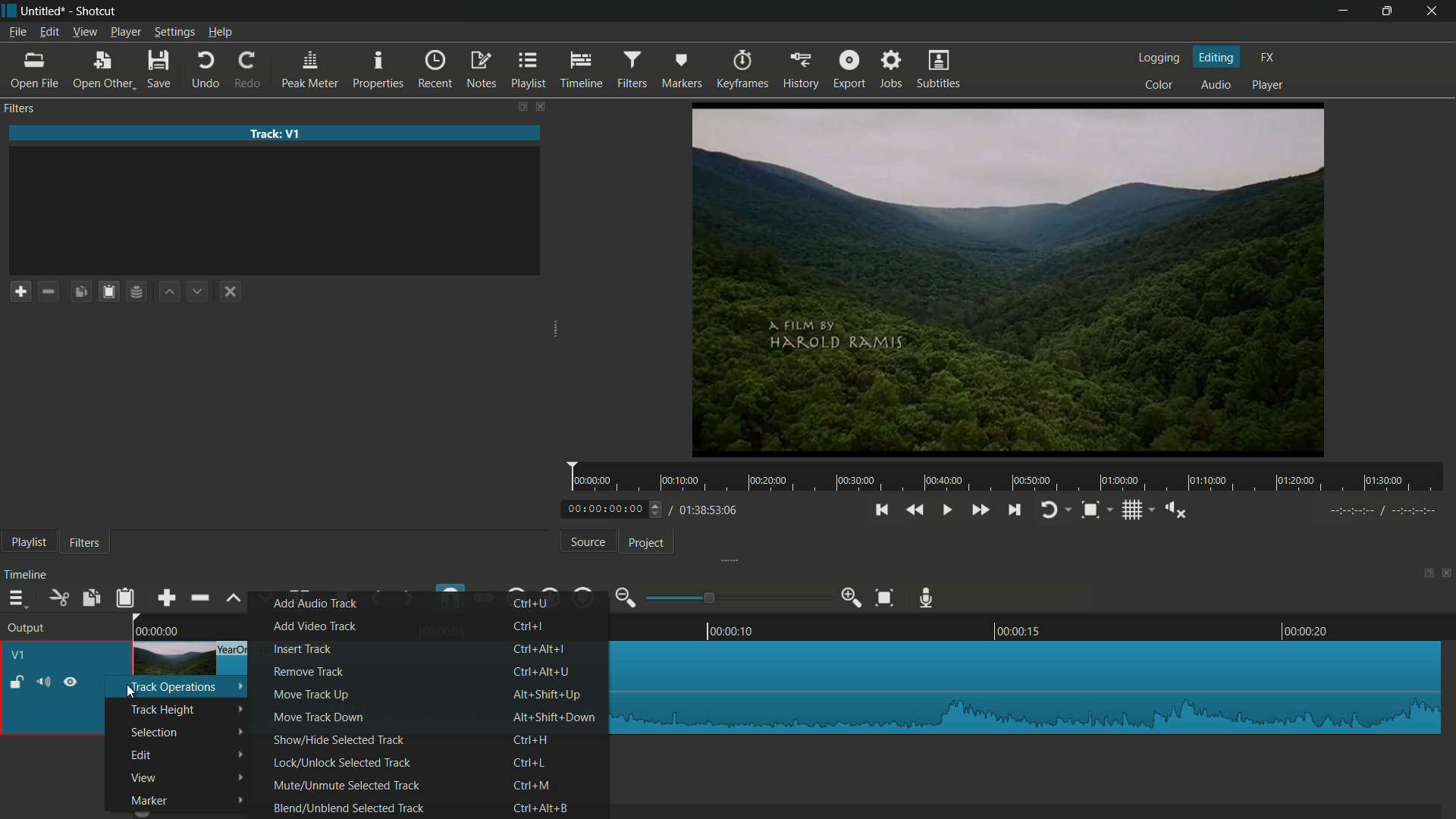 The height and width of the screenshot is (819, 1456). I want to click on open file, so click(33, 71).